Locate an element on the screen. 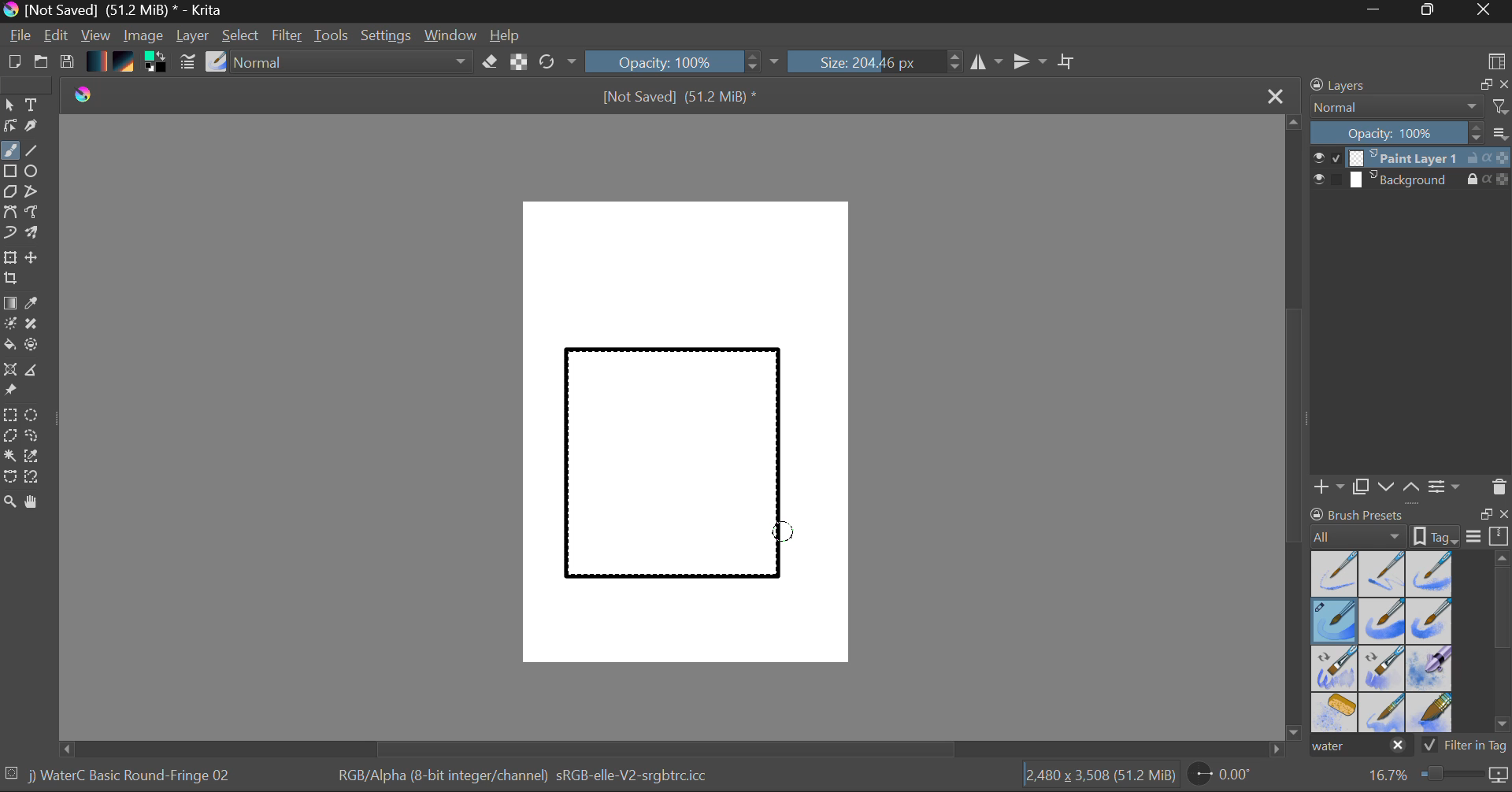 This screenshot has height=792, width=1512. Brush Settings is located at coordinates (186, 63).